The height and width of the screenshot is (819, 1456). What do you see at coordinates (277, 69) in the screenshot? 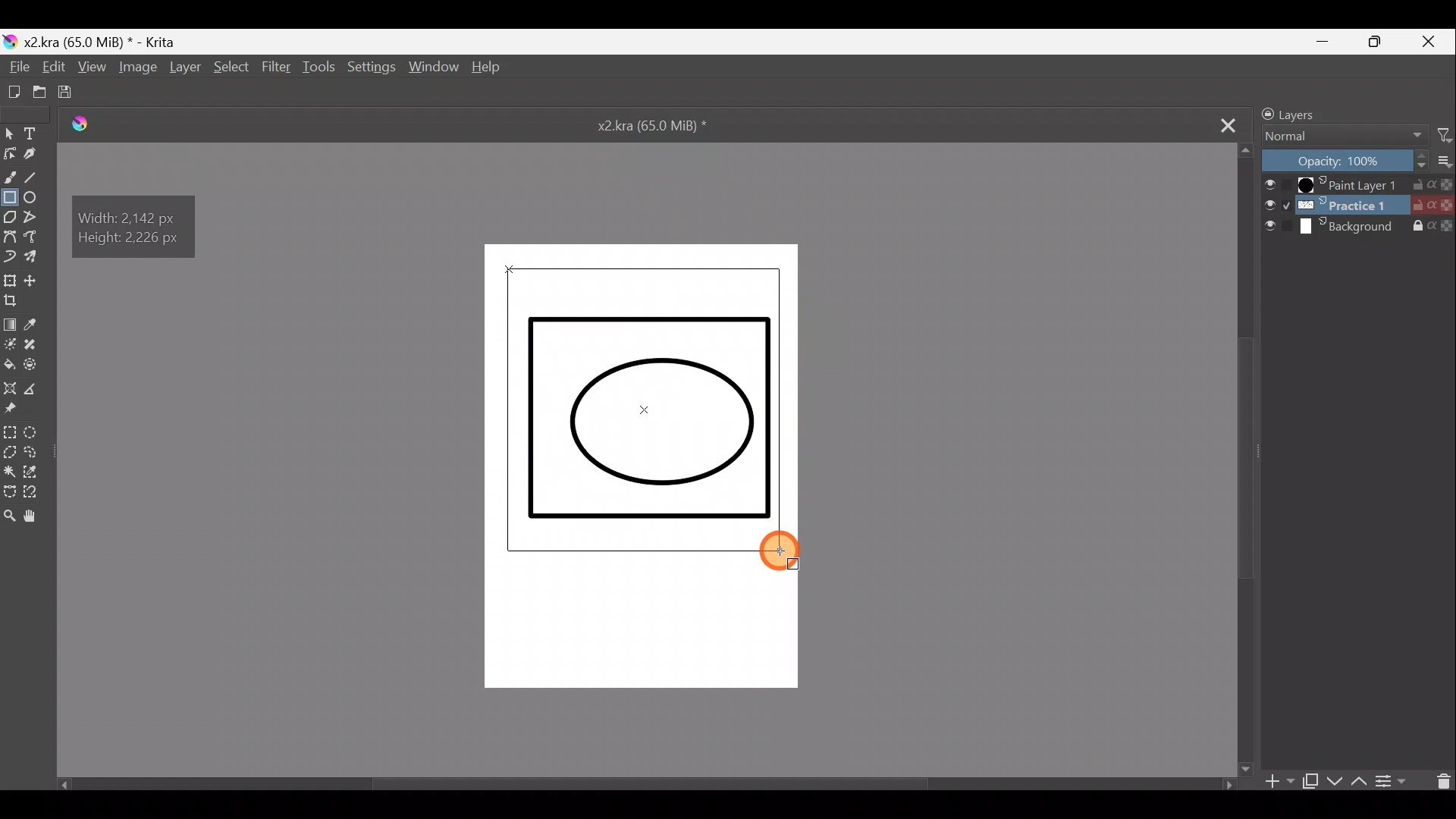
I see `Filter` at bounding box center [277, 69].